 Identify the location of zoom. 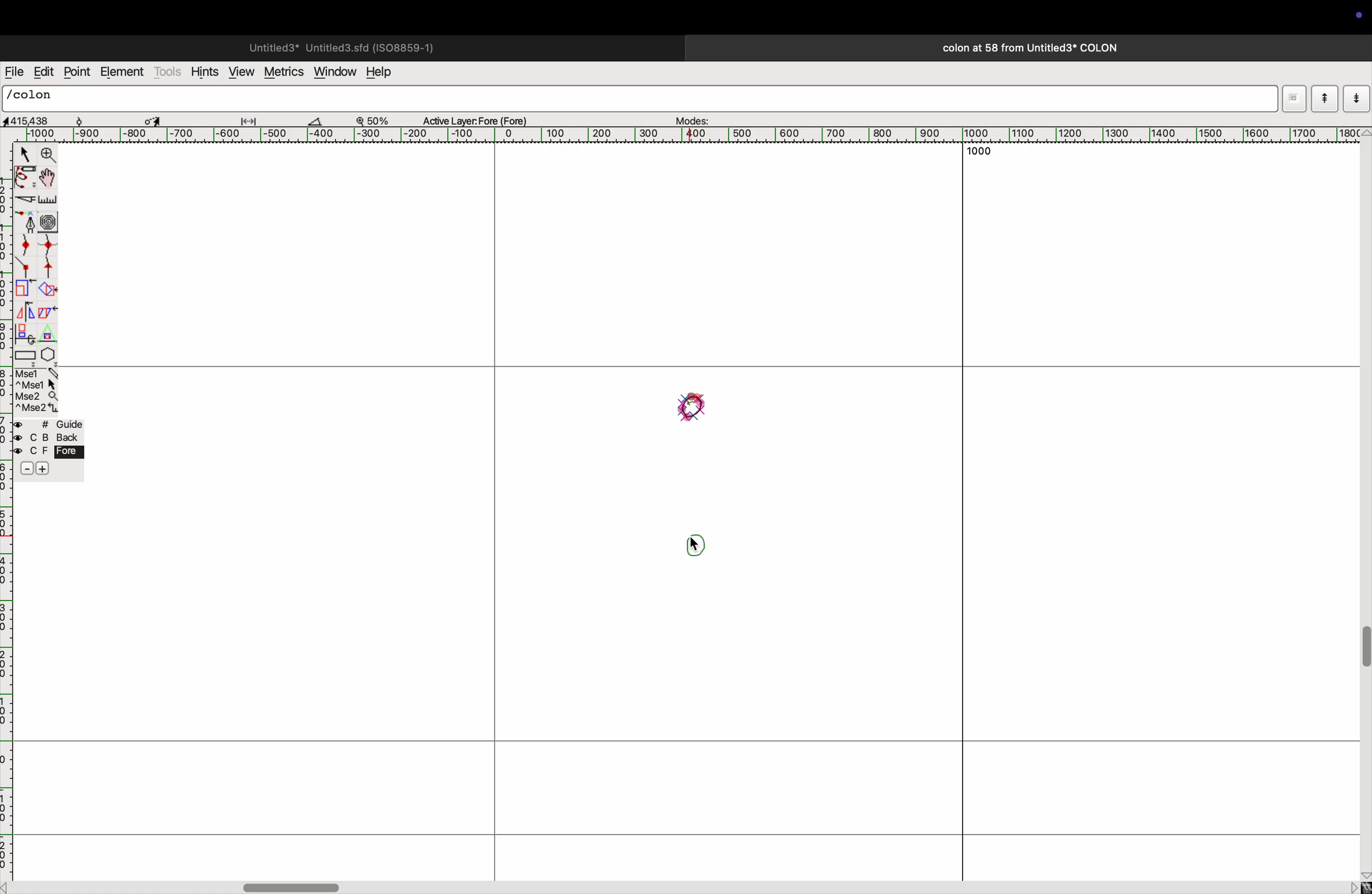
(49, 155).